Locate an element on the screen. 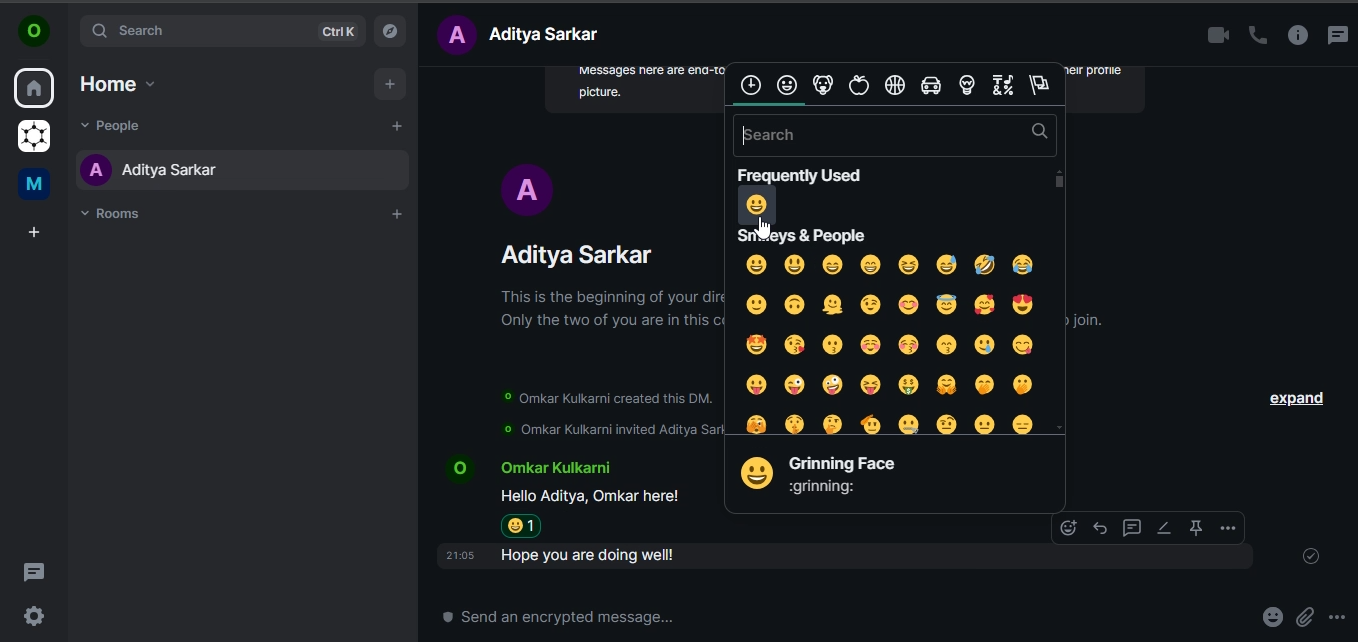 This screenshot has width=1358, height=642. attachments is located at coordinates (1310, 618).